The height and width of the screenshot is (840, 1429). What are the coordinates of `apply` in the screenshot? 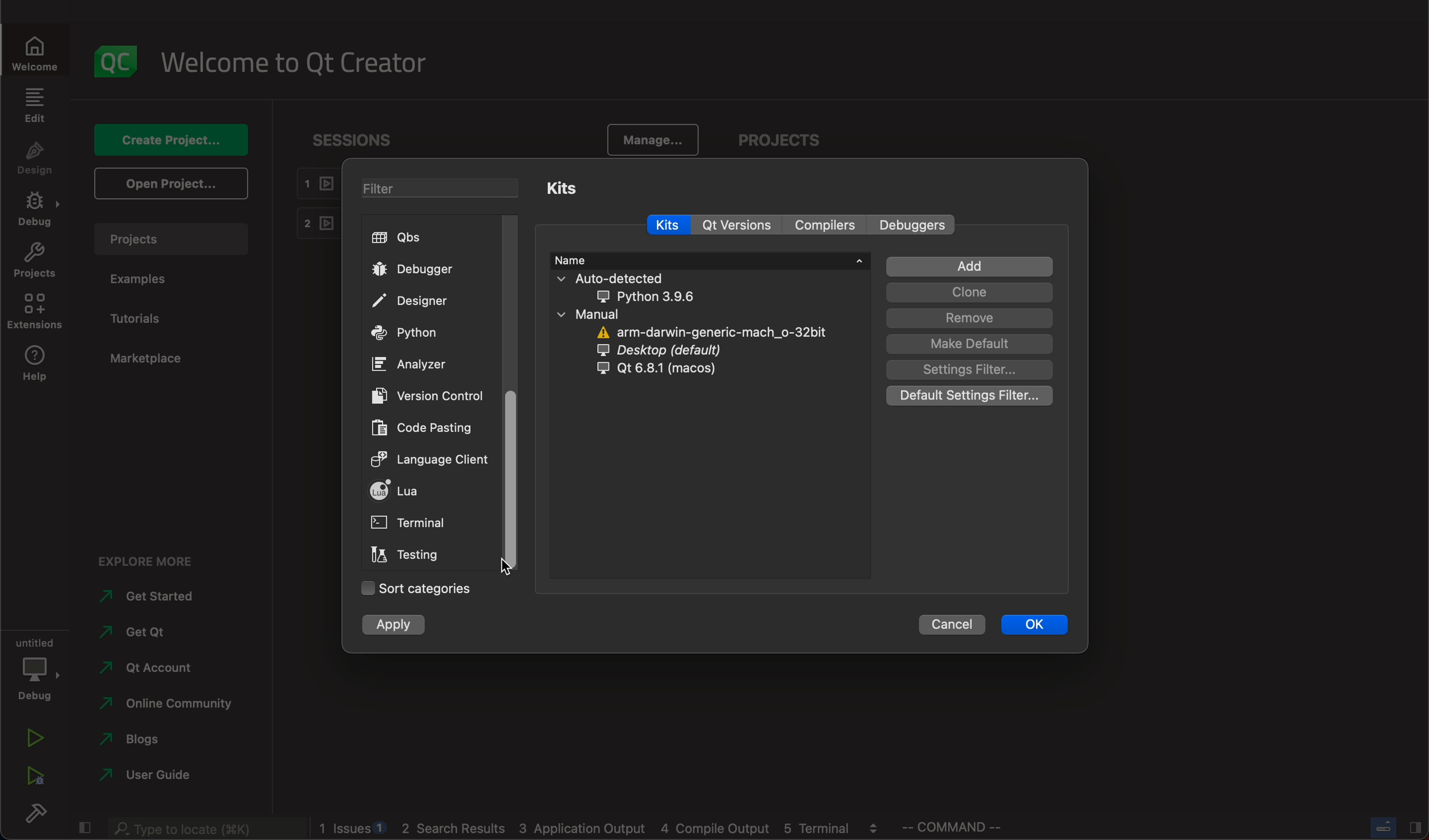 It's located at (400, 624).